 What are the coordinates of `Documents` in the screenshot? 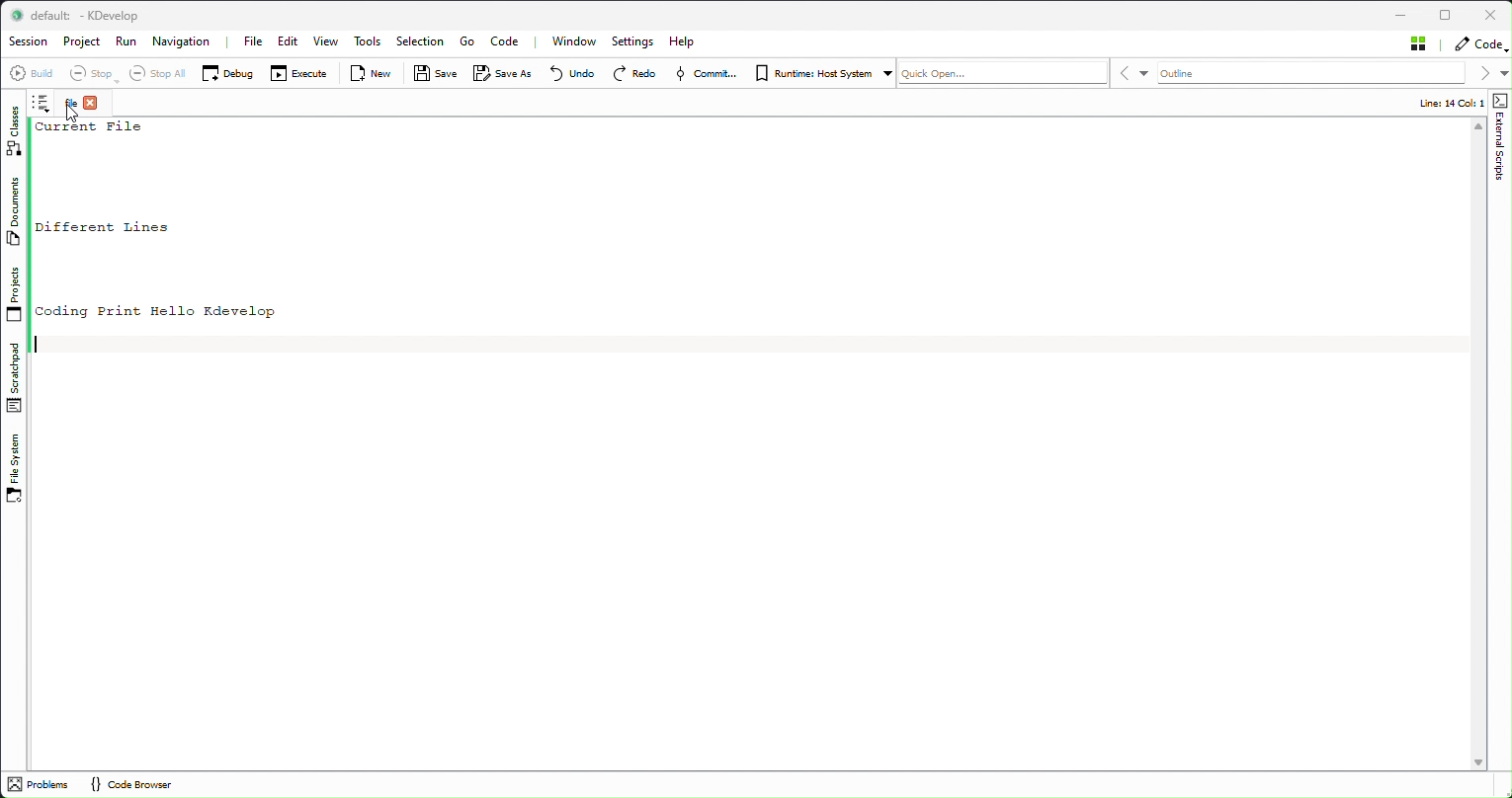 It's located at (18, 213).